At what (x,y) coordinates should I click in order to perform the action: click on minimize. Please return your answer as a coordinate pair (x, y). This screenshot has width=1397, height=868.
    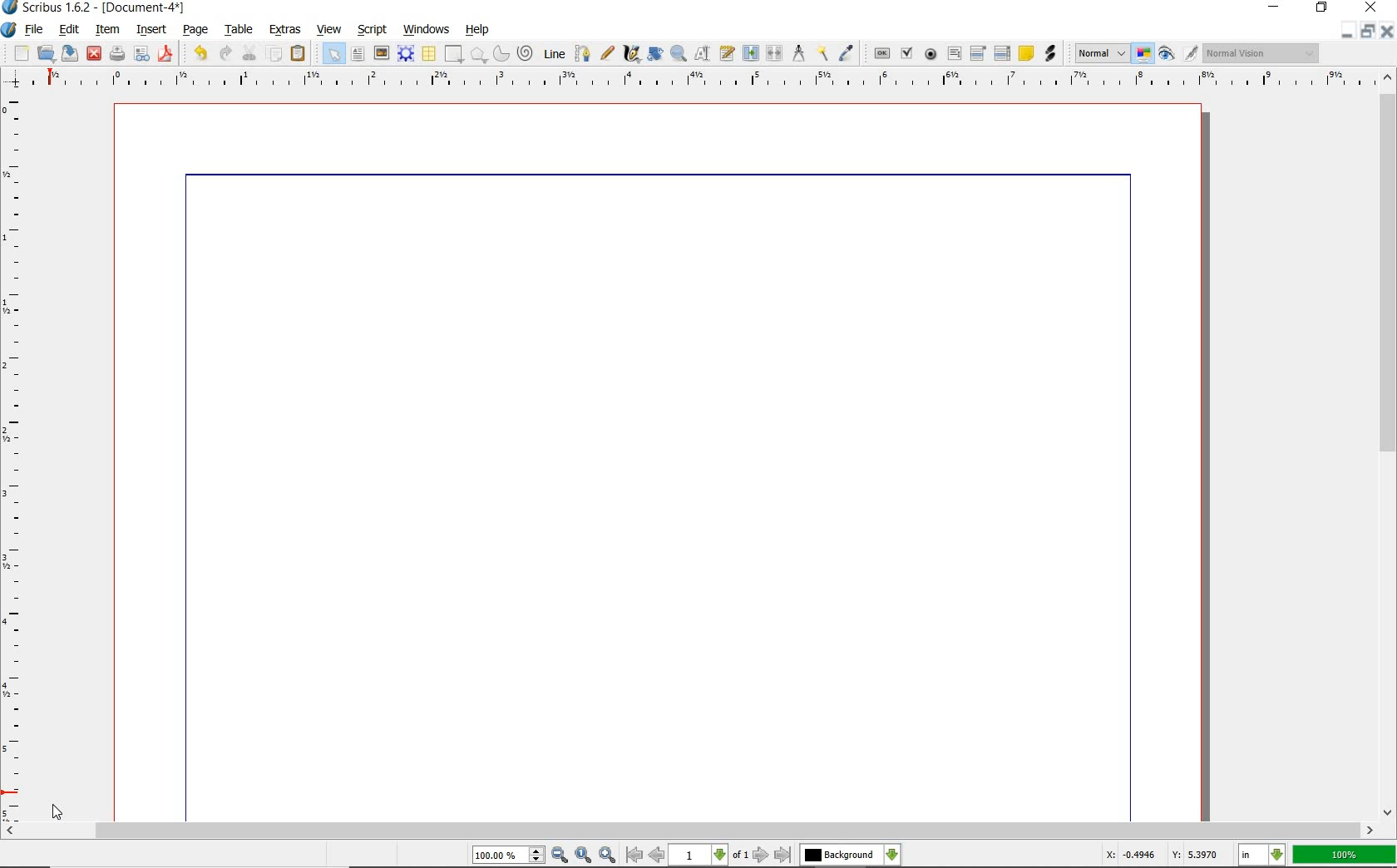
    Looking at the image, I should click on (1349, 31).